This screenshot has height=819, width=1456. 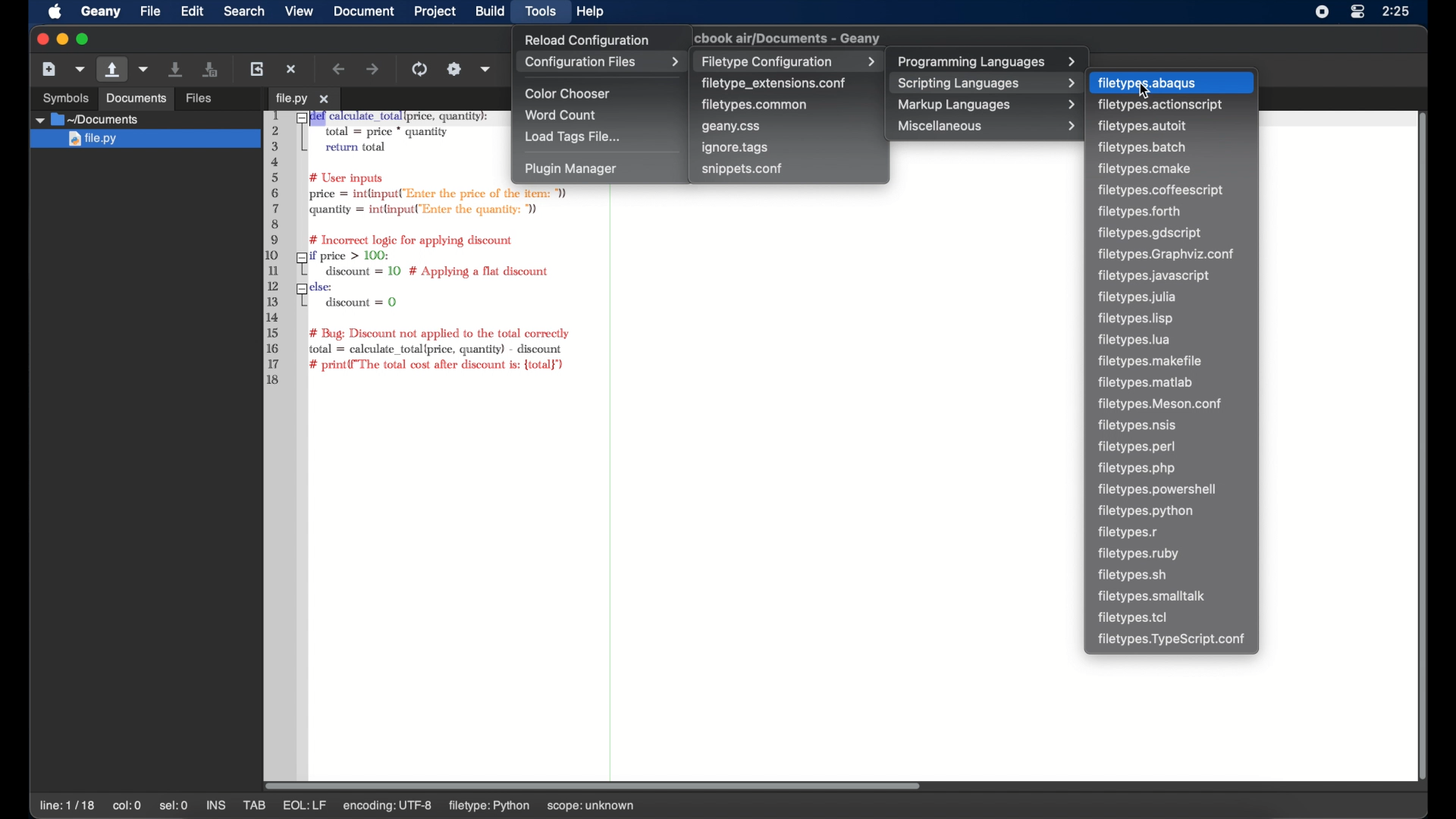 What do you see at coordinates (1154, 275) in the screenshot?
I see `filetypes` at bounding box center [1154, 275].